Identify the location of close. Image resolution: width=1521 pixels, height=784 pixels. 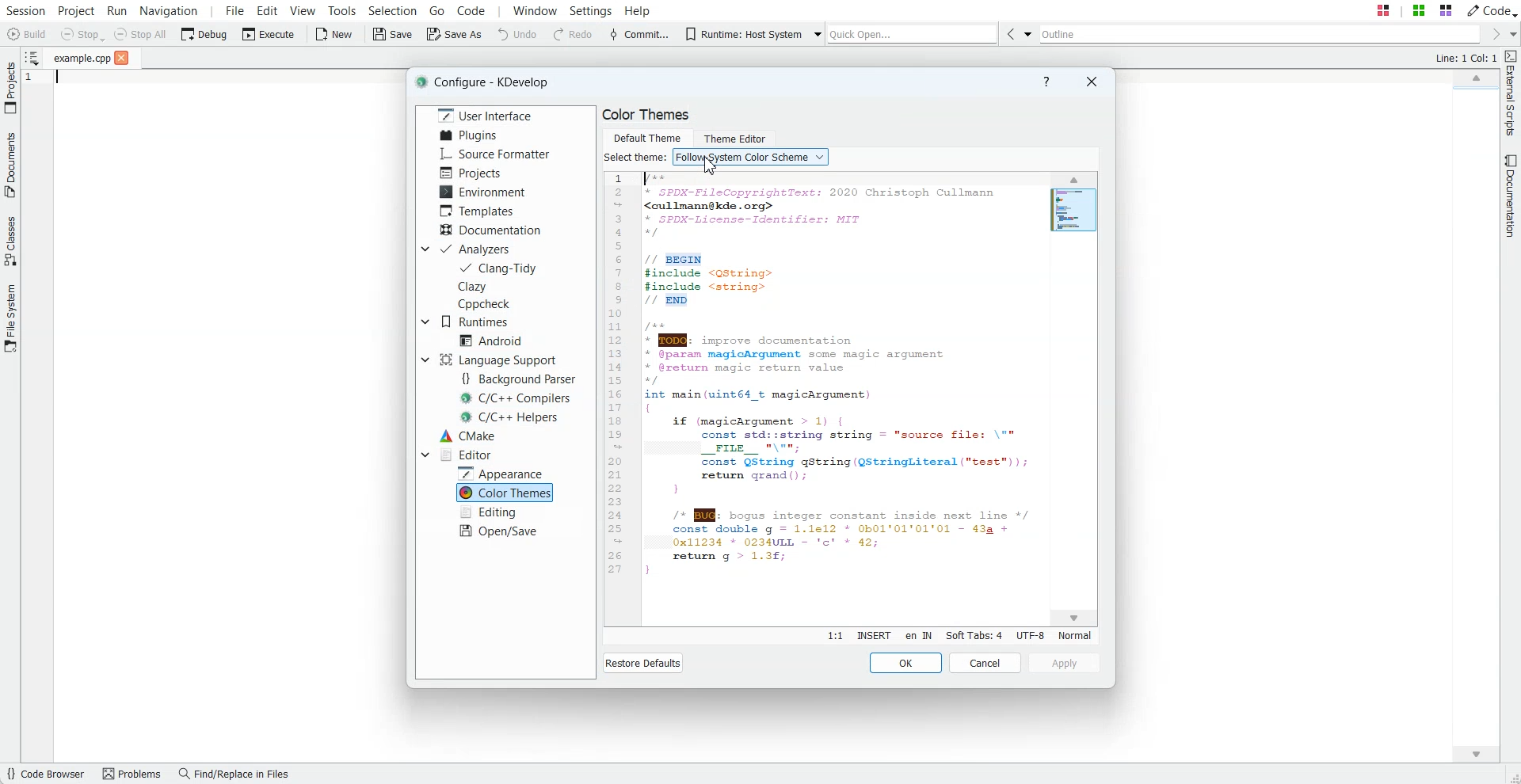
(122, 59).